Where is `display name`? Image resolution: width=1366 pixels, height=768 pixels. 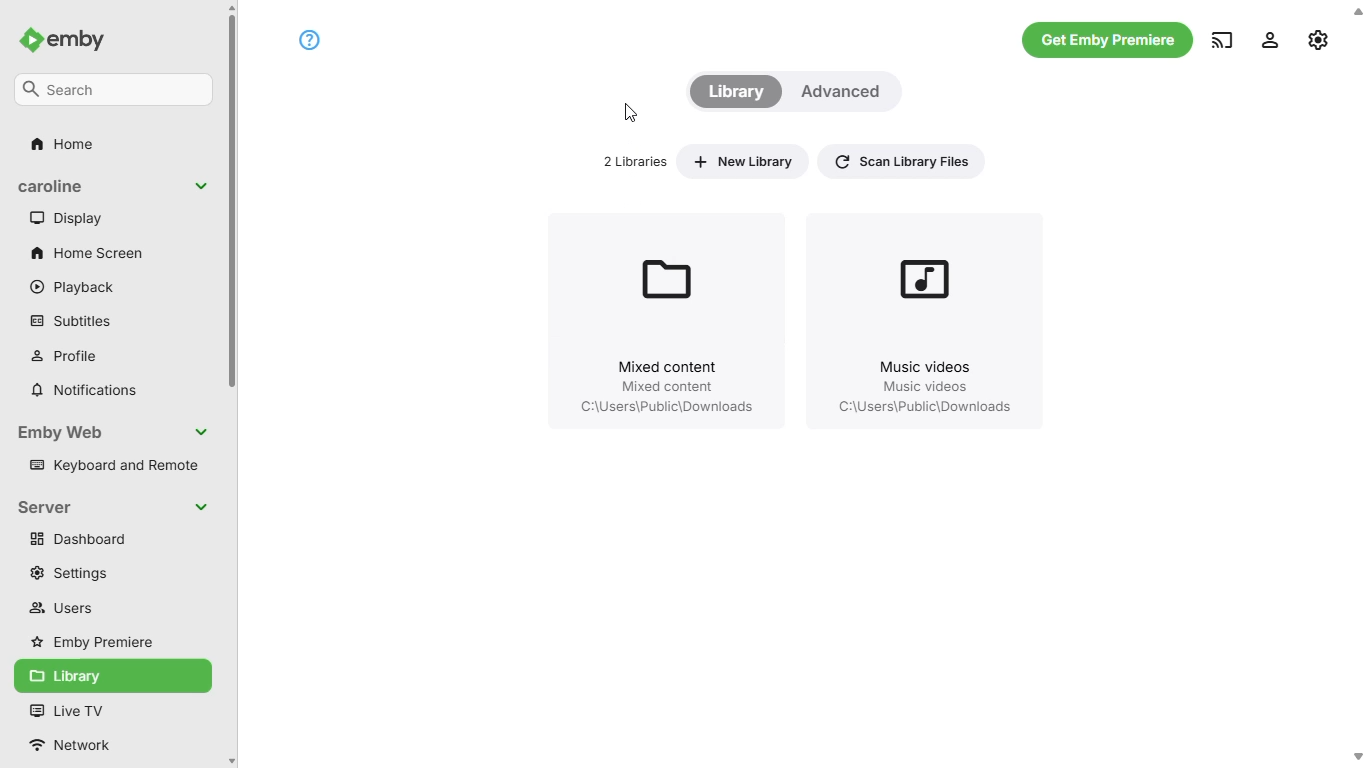
display name is located at coordinates (114, 187).